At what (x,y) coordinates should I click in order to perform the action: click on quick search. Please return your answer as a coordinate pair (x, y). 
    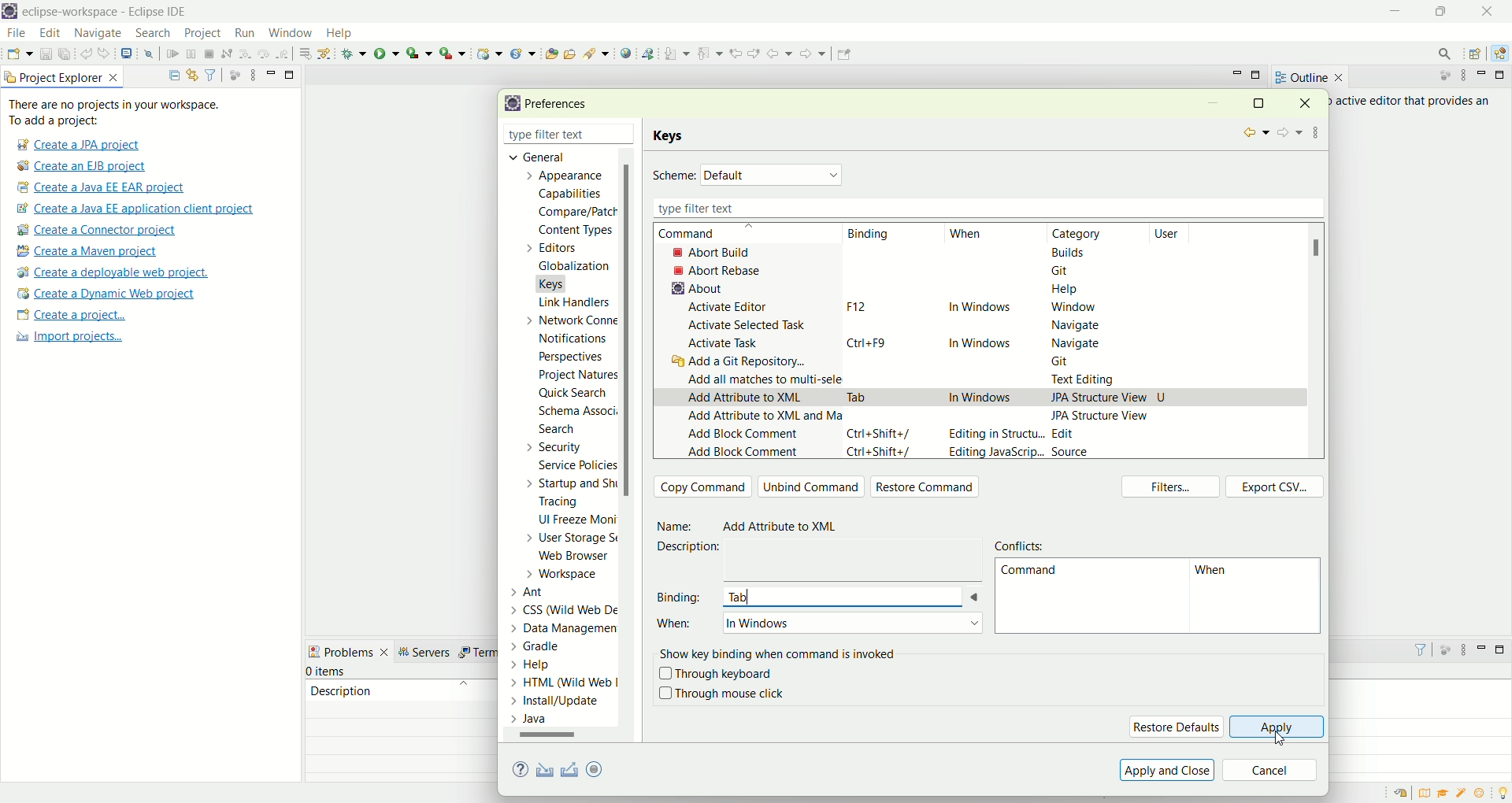
    Looking at the image, I should click on (573, 395).